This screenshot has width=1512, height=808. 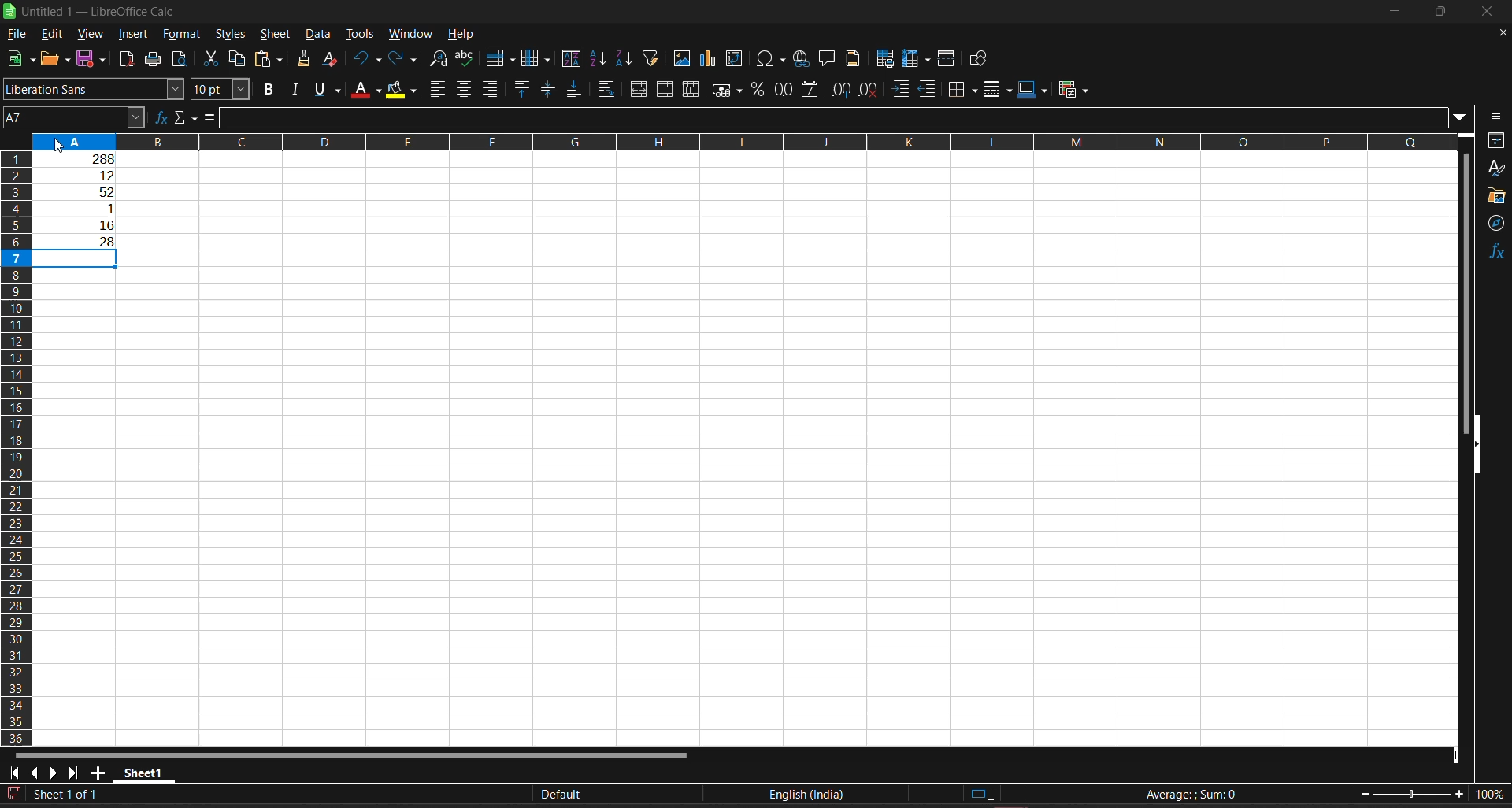 What do you see at coordinates (1495, 195) in the screenshot?
I see `gallery` at bounding box center [1495, 195].